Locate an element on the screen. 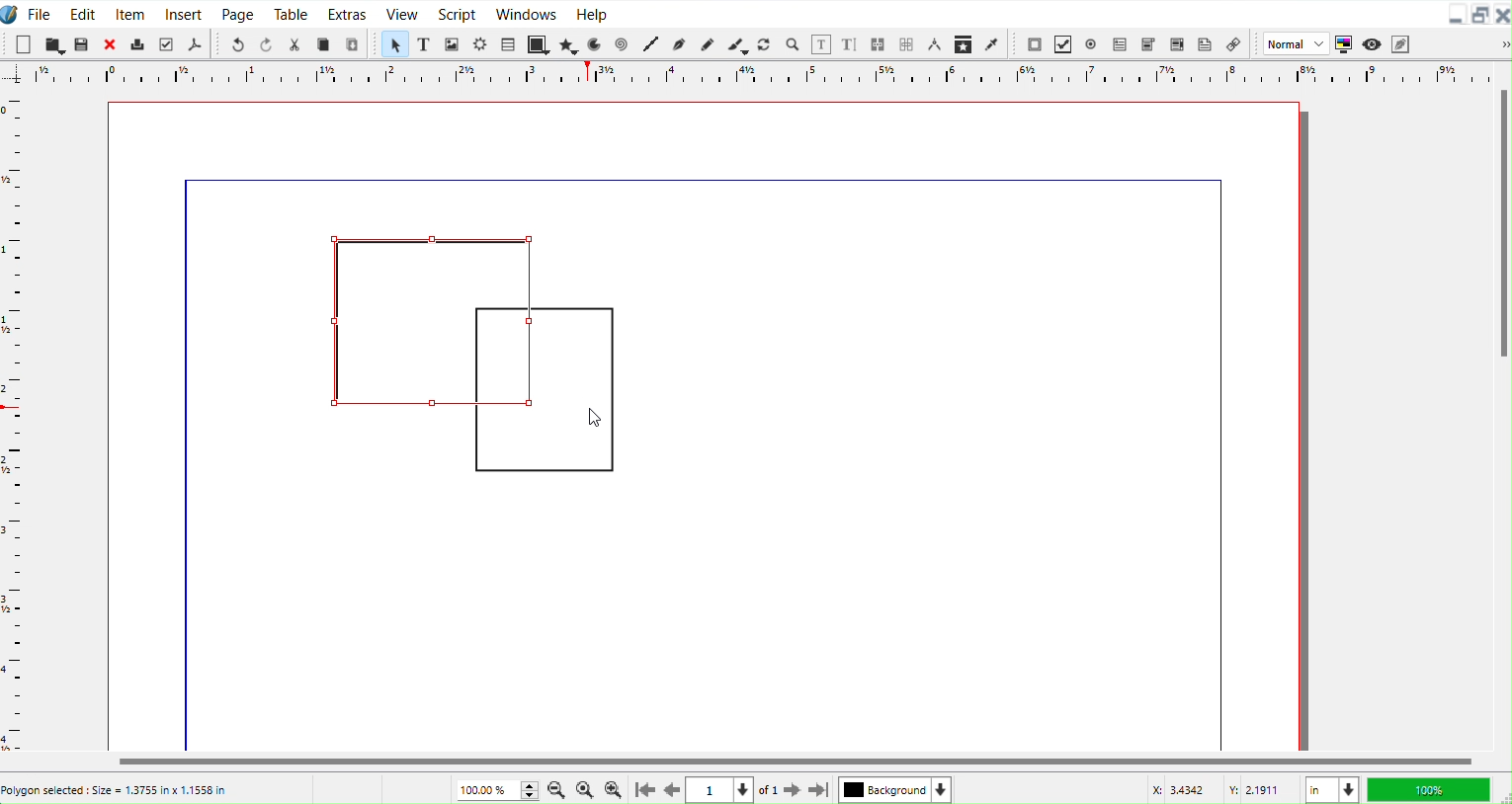 The width and height of the screenshot is (1512, 804). Edit contents of frame is located at coordinates (821, 44).